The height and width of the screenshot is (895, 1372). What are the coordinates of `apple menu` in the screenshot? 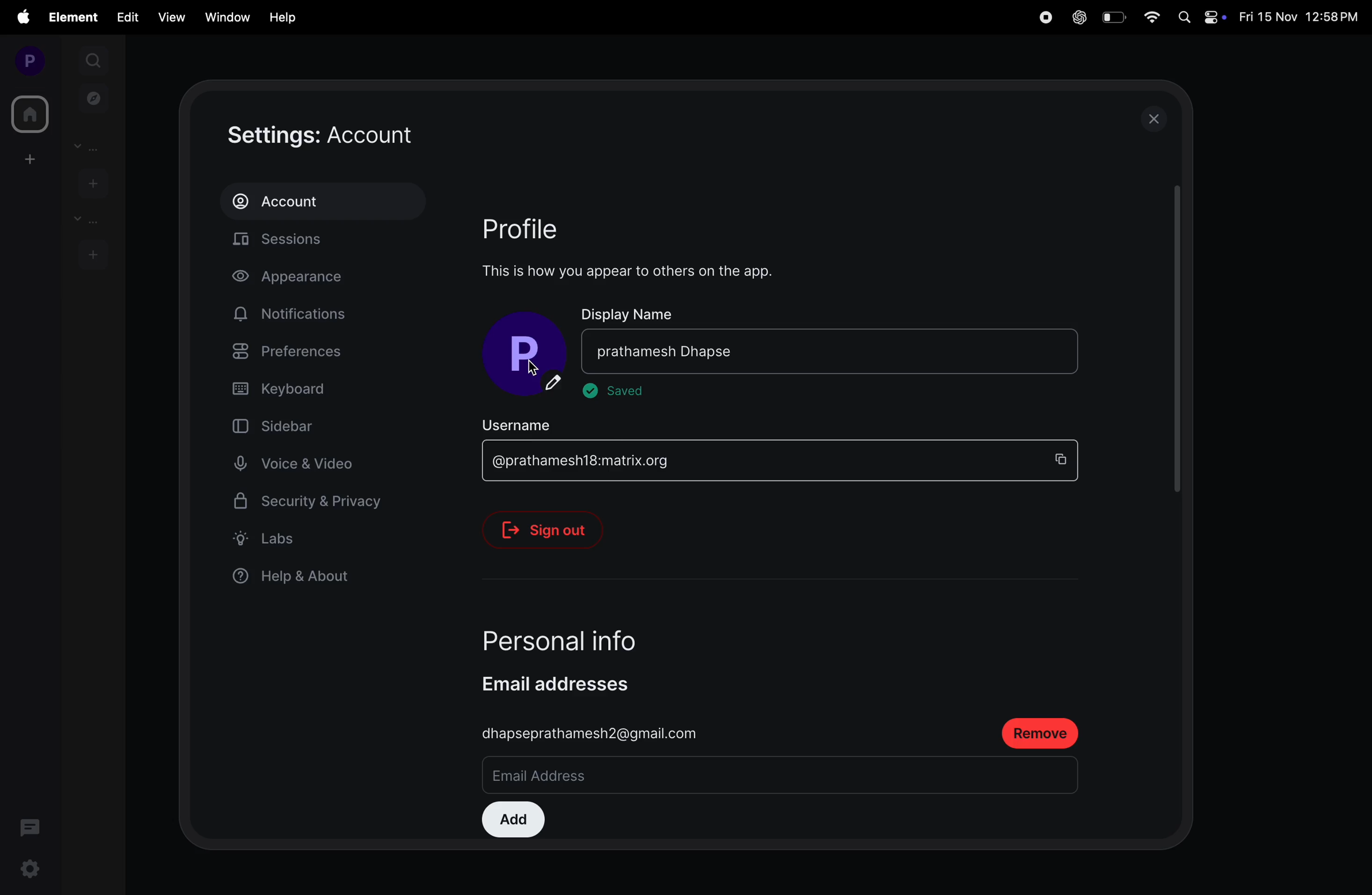 It's located at (22, 17).